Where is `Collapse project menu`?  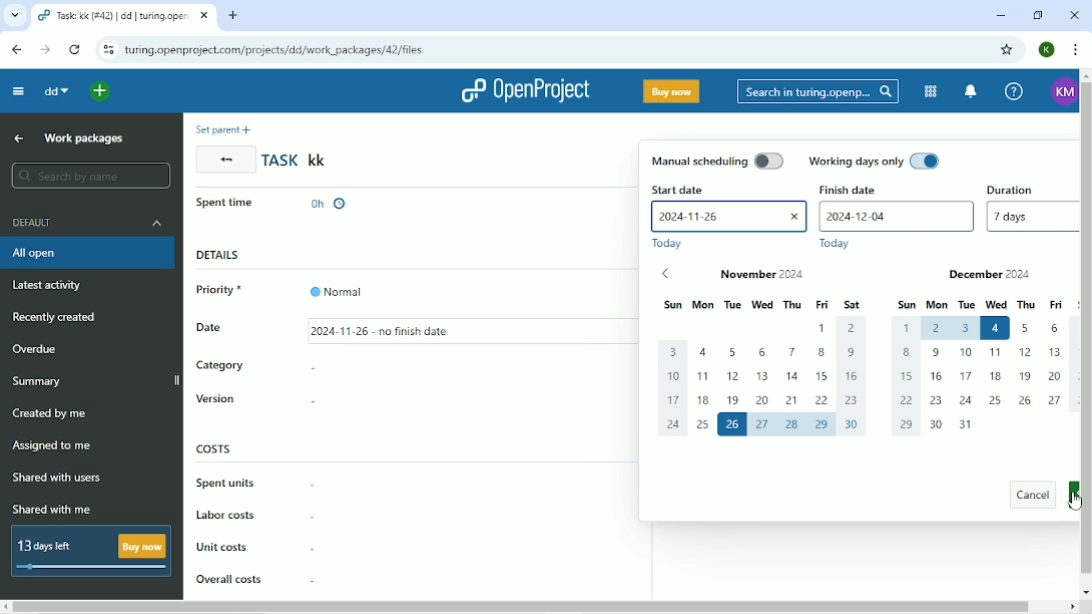
Collapse project menu is located at coordinates (19, 92).